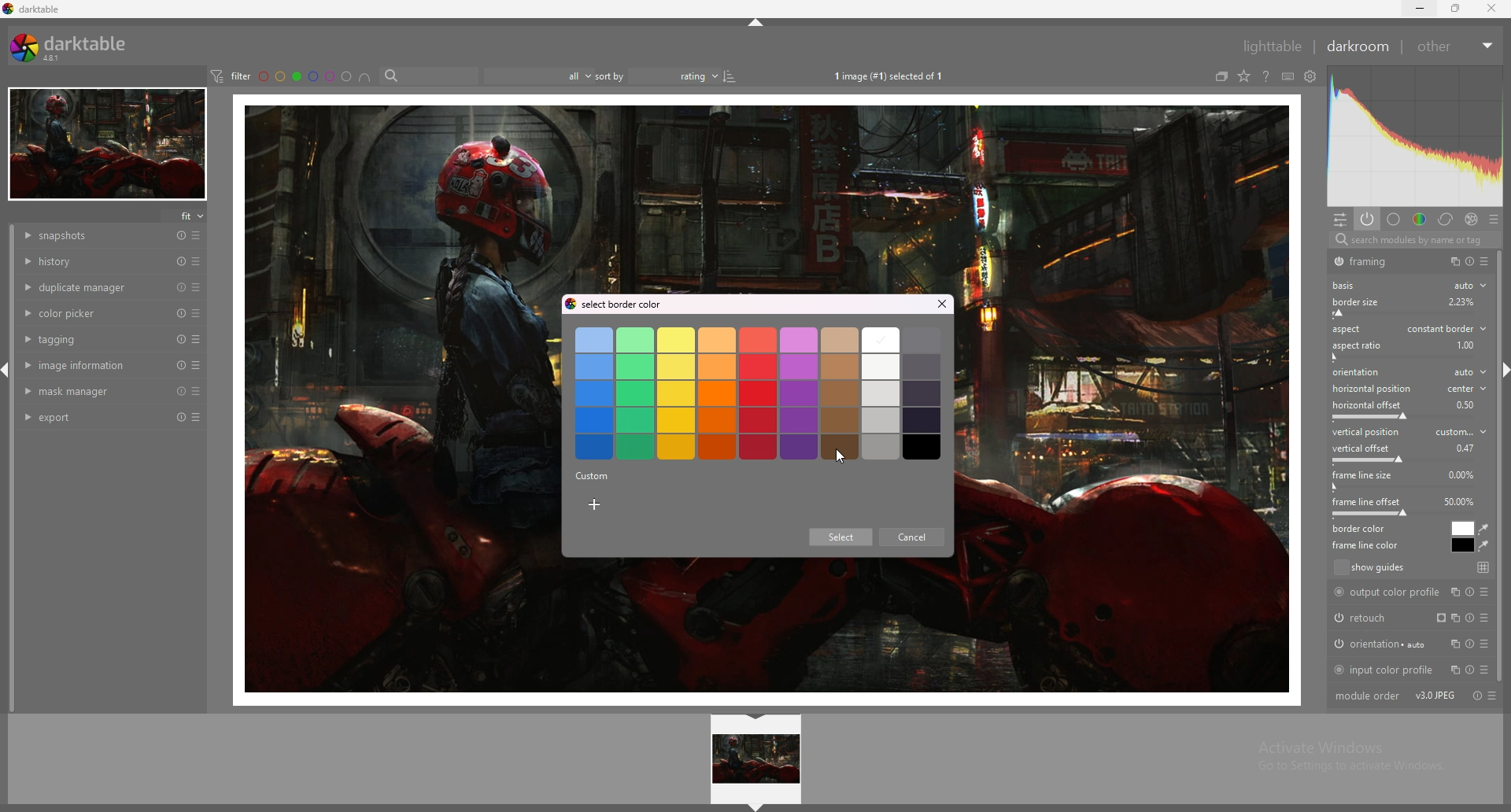 The width and height of the screenshot is (1511, 812). I want to click on waterdrop, so click(1485, 530).